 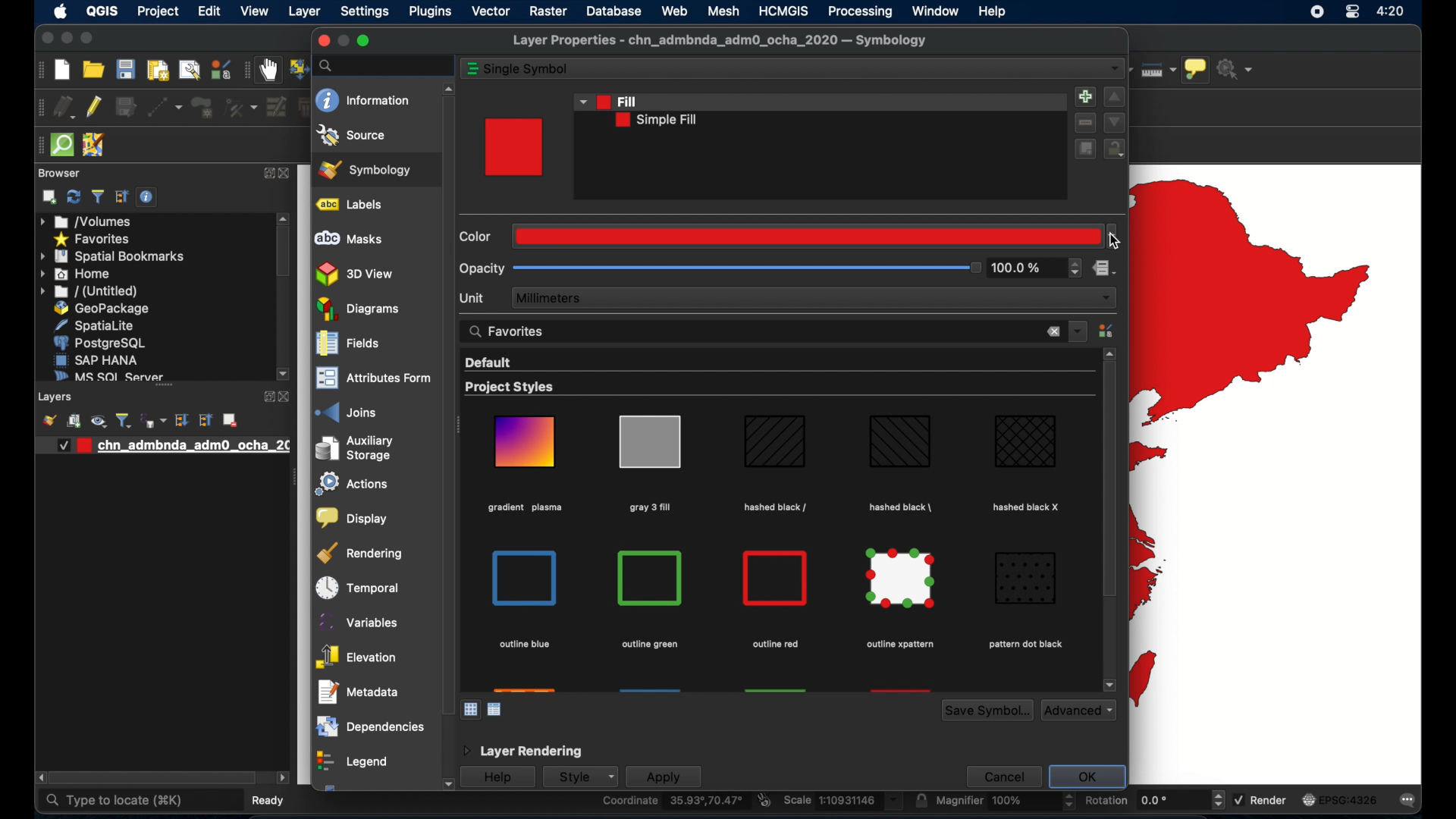 What do you see at coordinates (91, 240) in the screenshot?
I see `favorites` at bounding box center [91, 240].